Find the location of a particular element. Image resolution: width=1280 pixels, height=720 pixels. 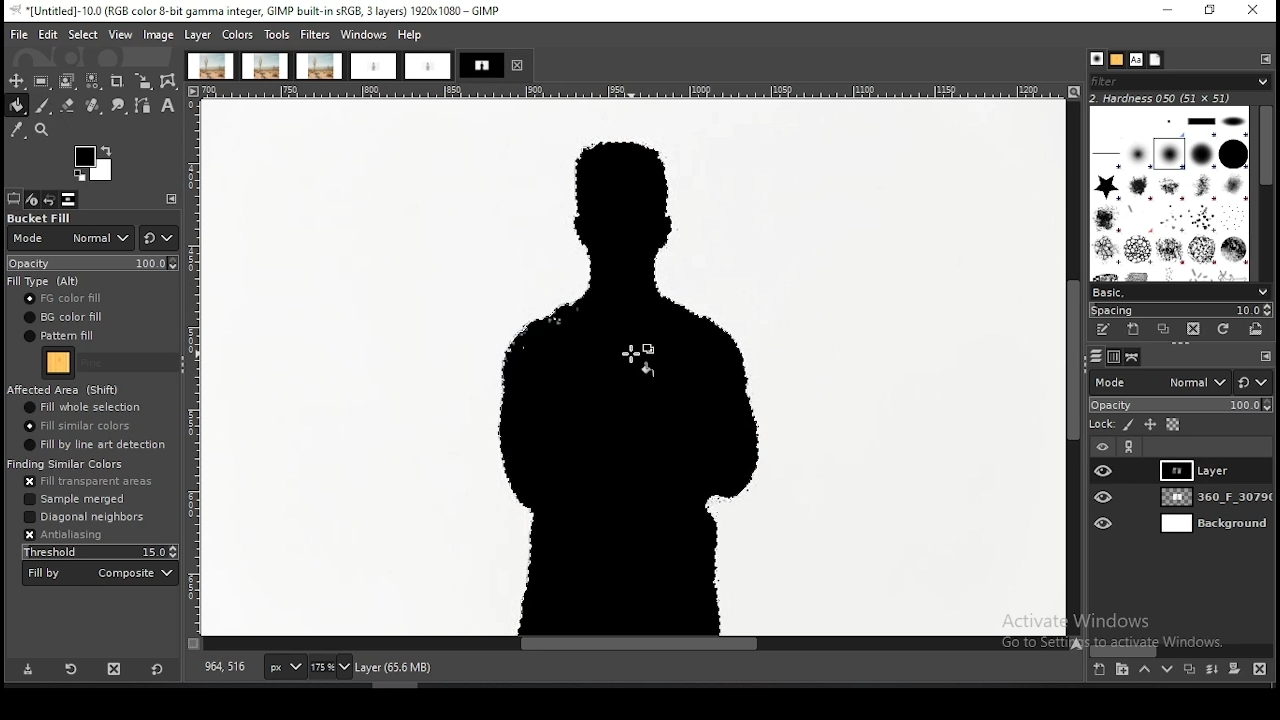

affected area (shift) is located at coordinates (66, 389).